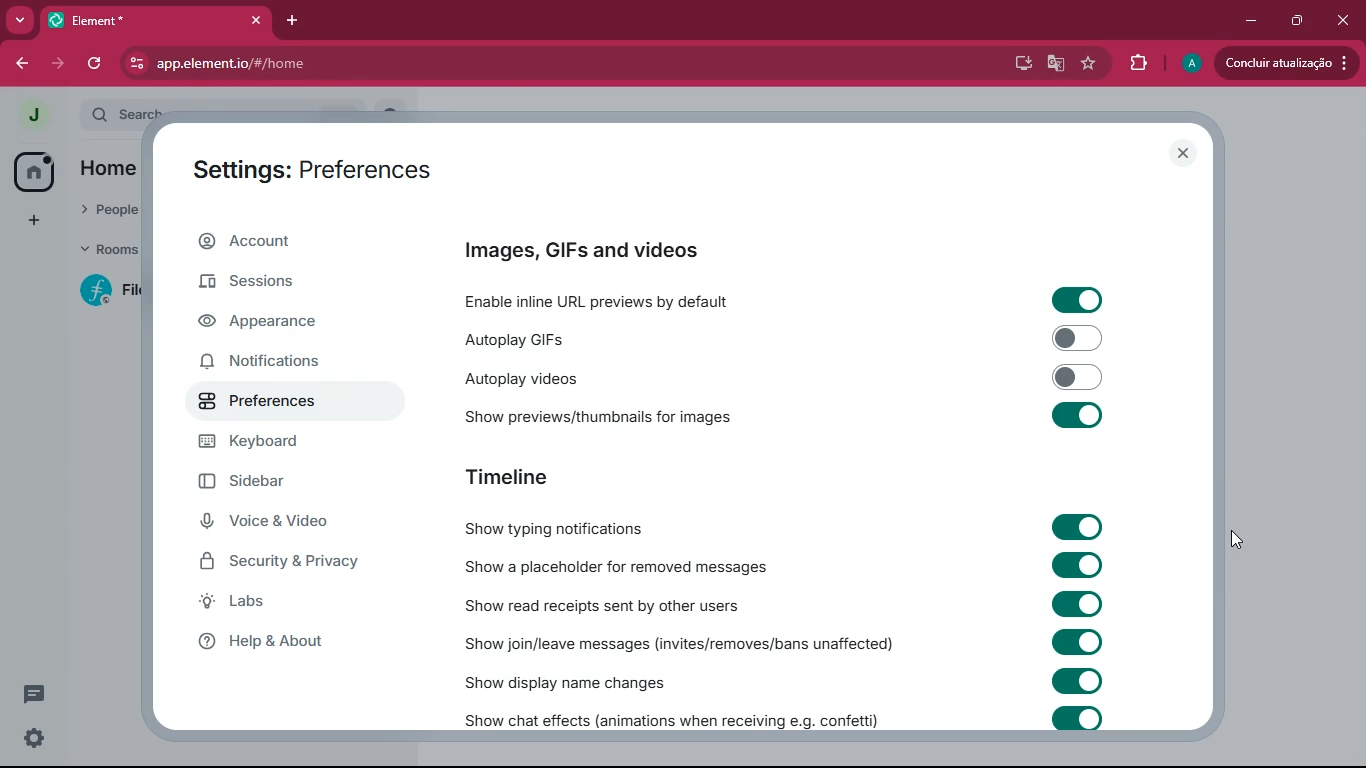 The width and height of the screenshot is (1366, 768). Describe the element at coordinates (1077, 603) in the screenshot. I see `toggle on/off` at that location.